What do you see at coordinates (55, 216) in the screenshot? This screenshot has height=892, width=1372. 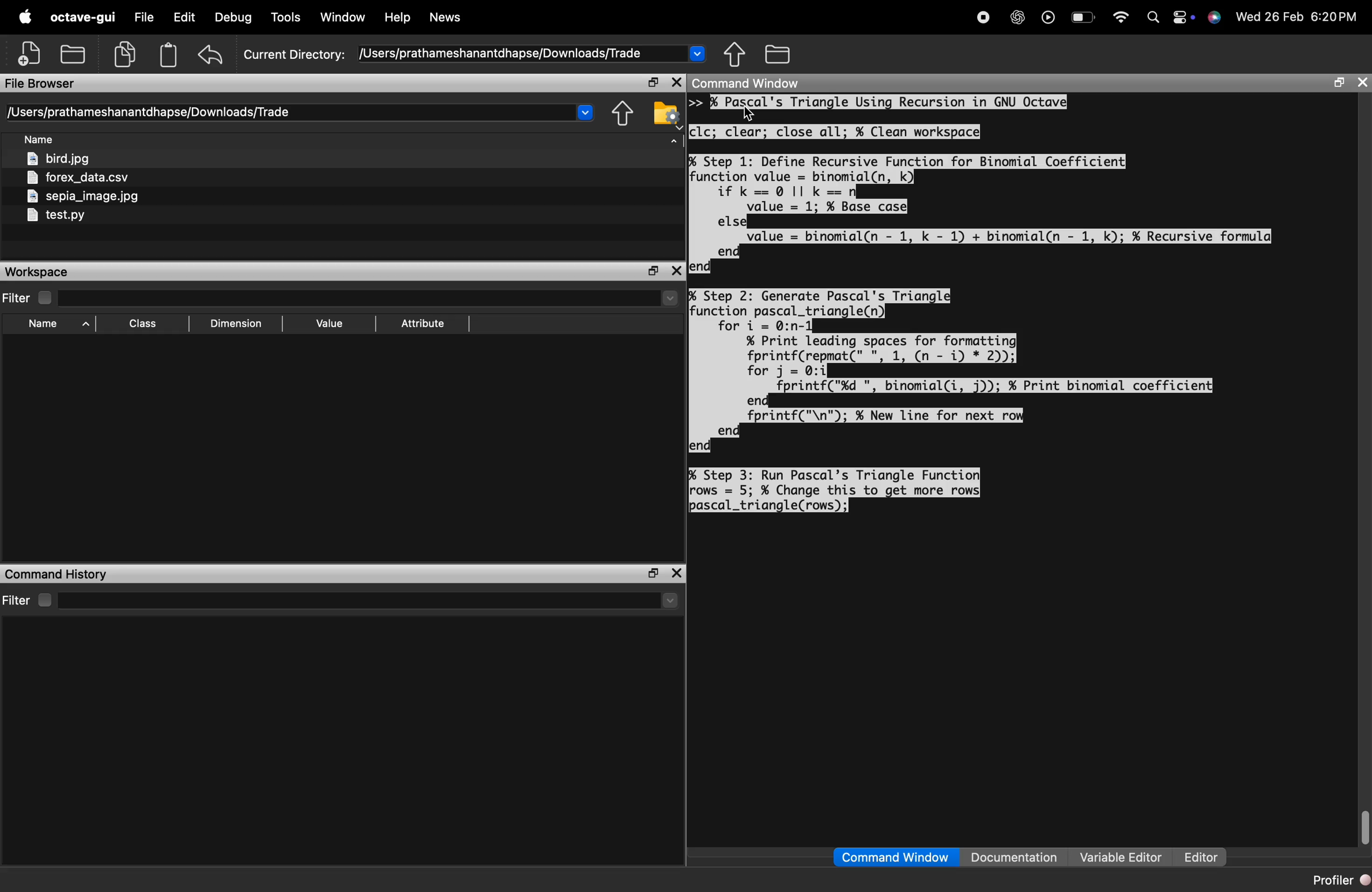 I see `test.py` at bounding box center [55, 216].